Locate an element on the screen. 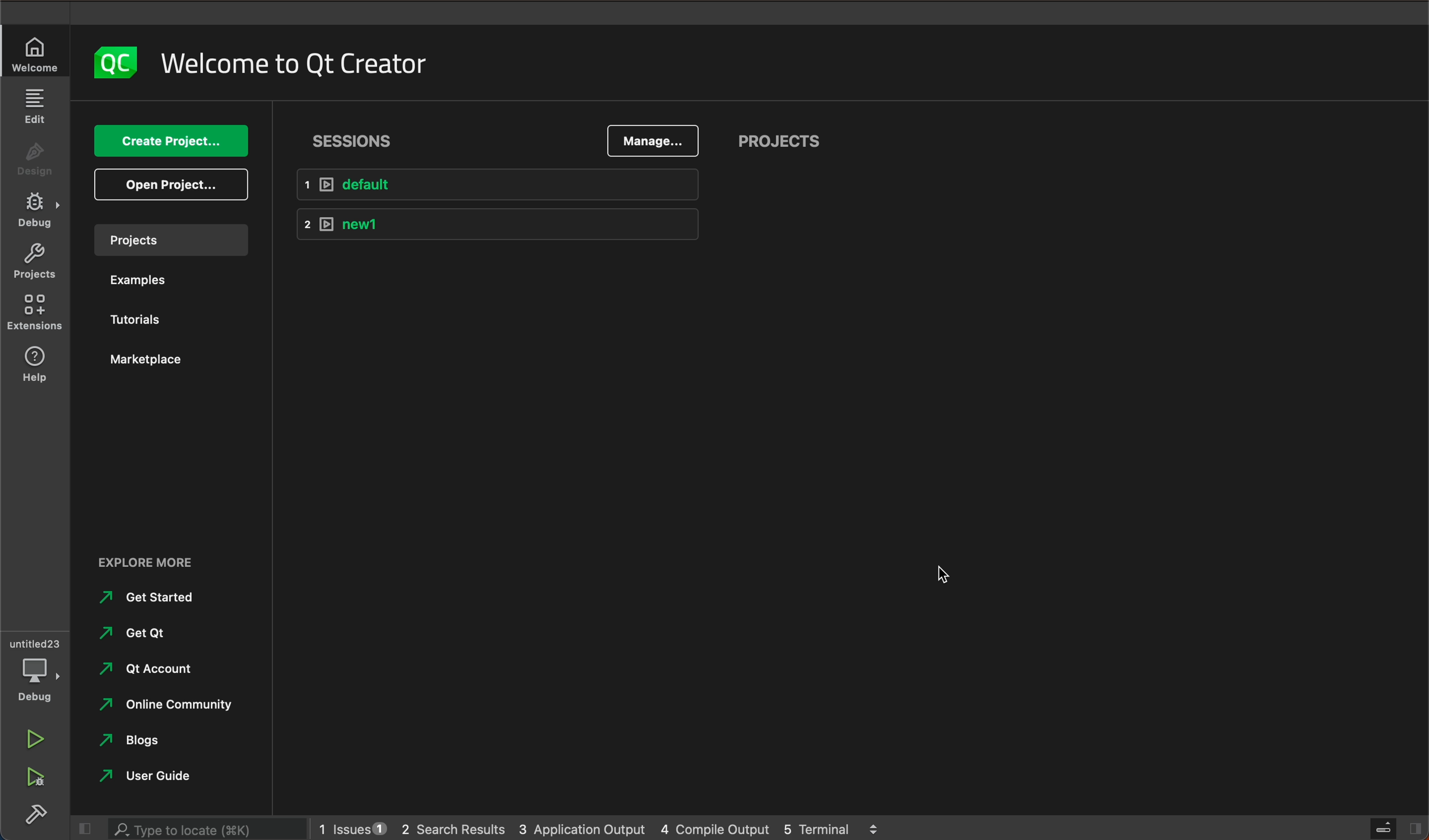 The height and width of the screenshot is (840, 1429). create project is located at coordinates (174, 142).